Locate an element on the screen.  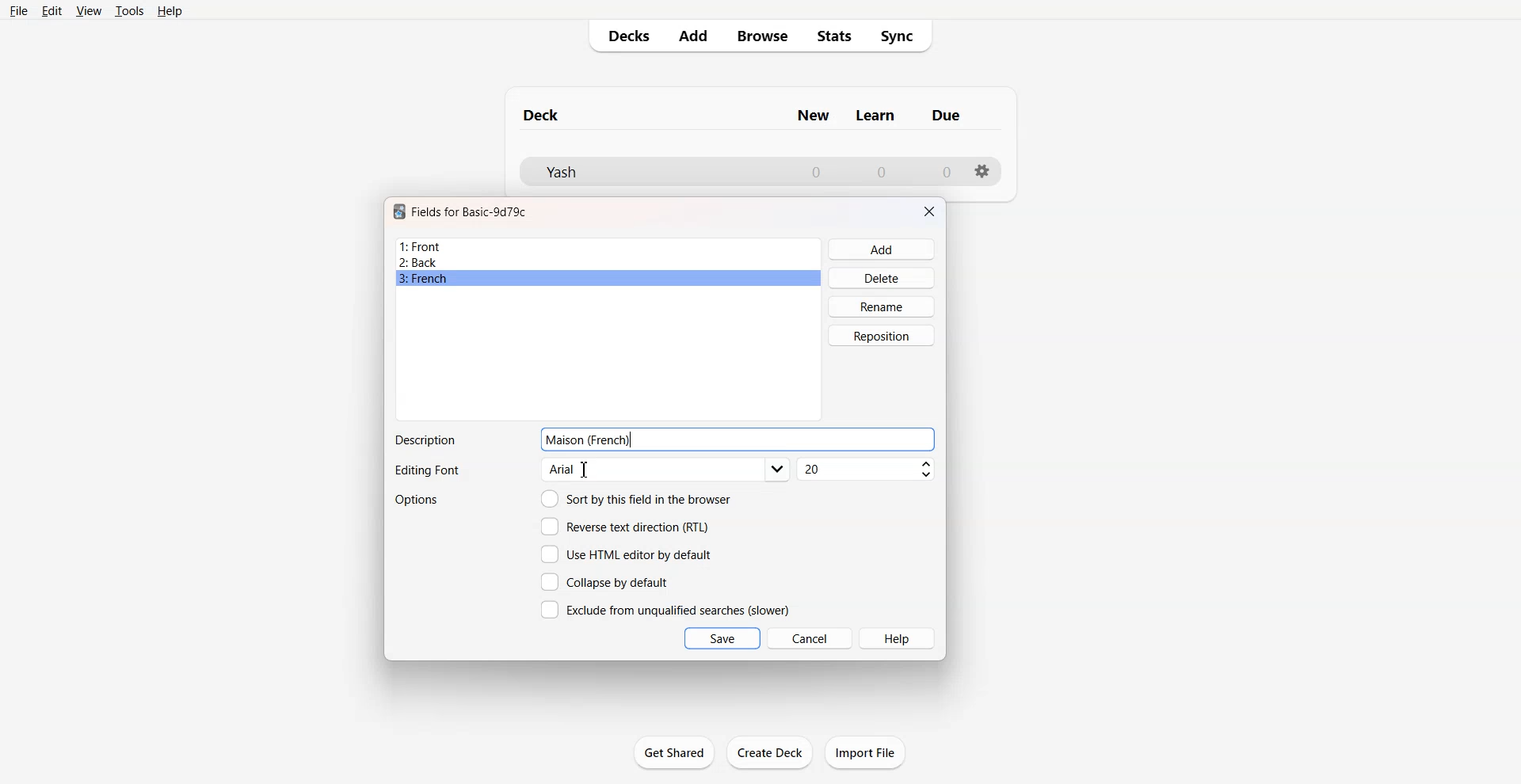
View is located at coordinates (90, 10).